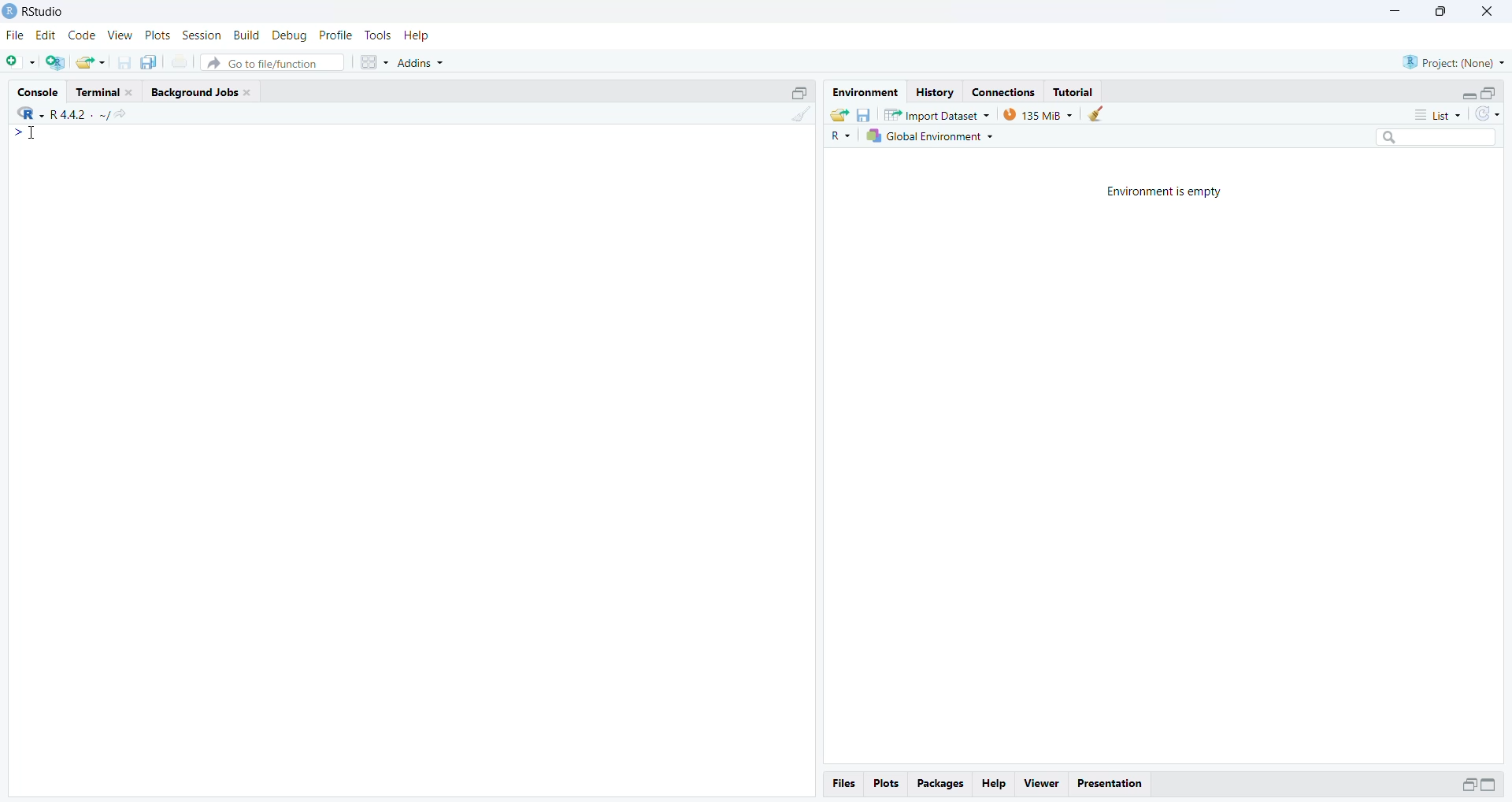  Describe the element at coordinates (1441, 115) in the screenshot. I see `List` at that location.